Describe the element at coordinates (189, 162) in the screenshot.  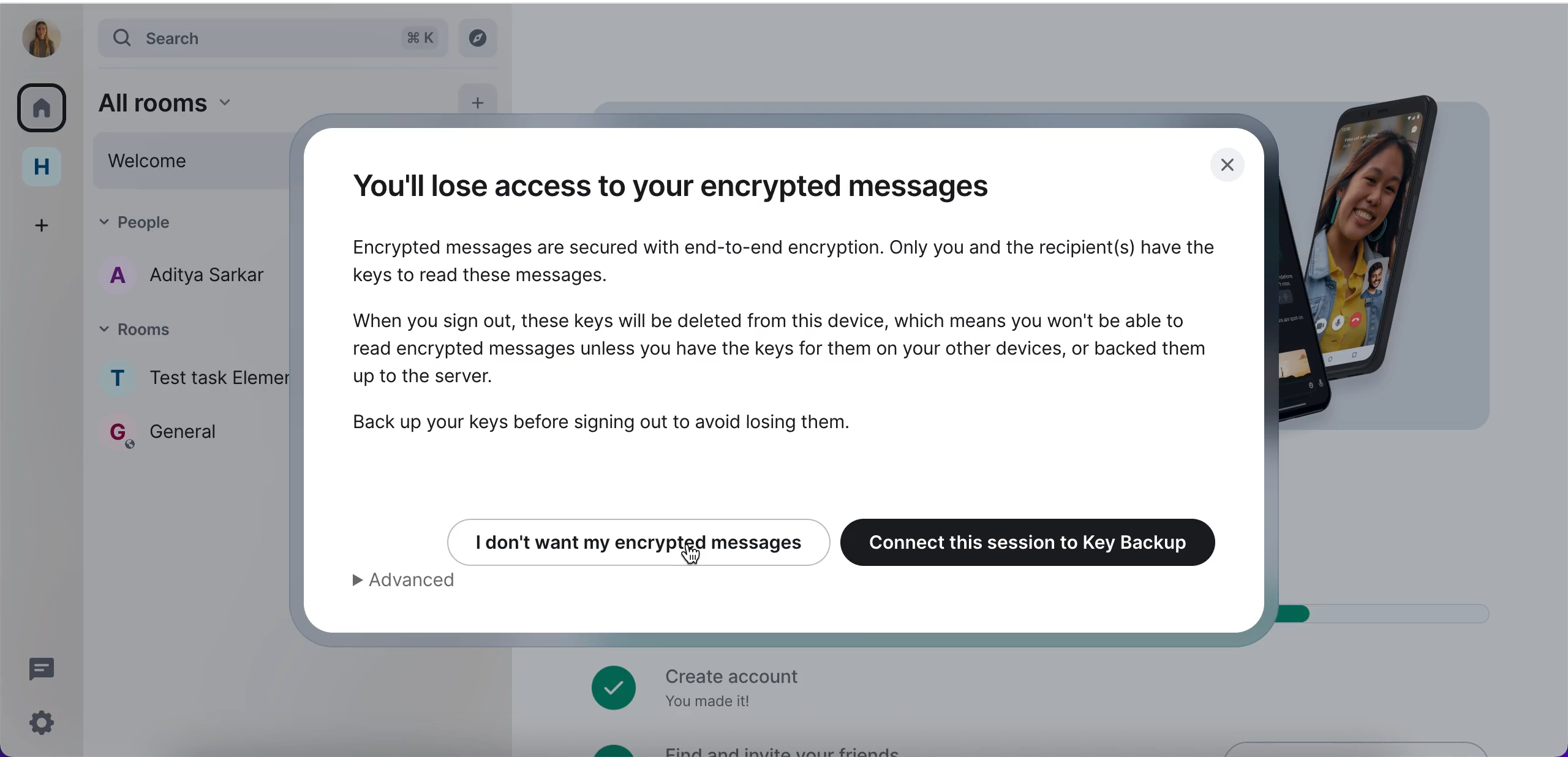
I see `welcme` at that location.